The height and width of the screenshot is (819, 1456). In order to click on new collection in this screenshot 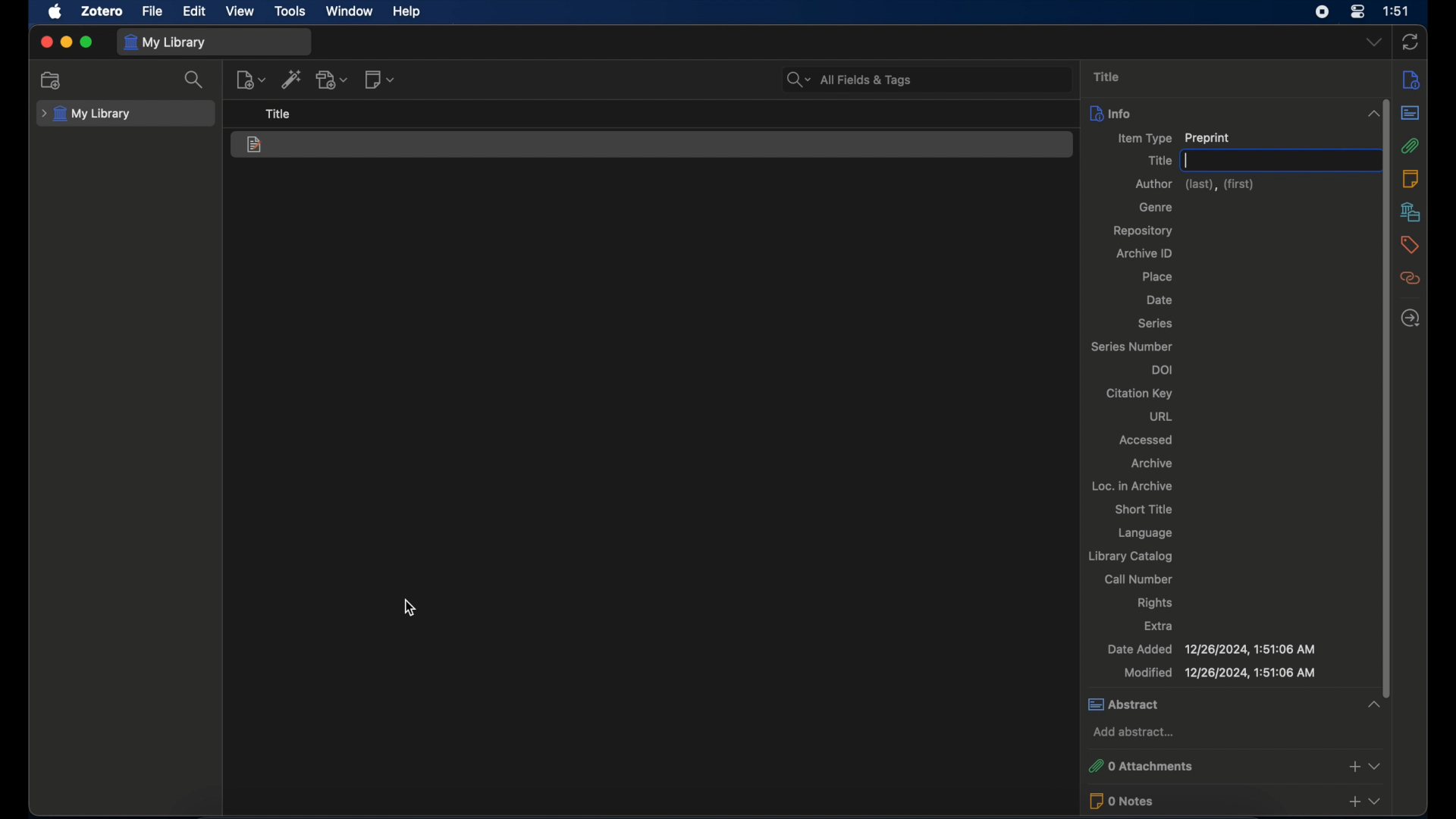, I will do `click(51, 80)`.